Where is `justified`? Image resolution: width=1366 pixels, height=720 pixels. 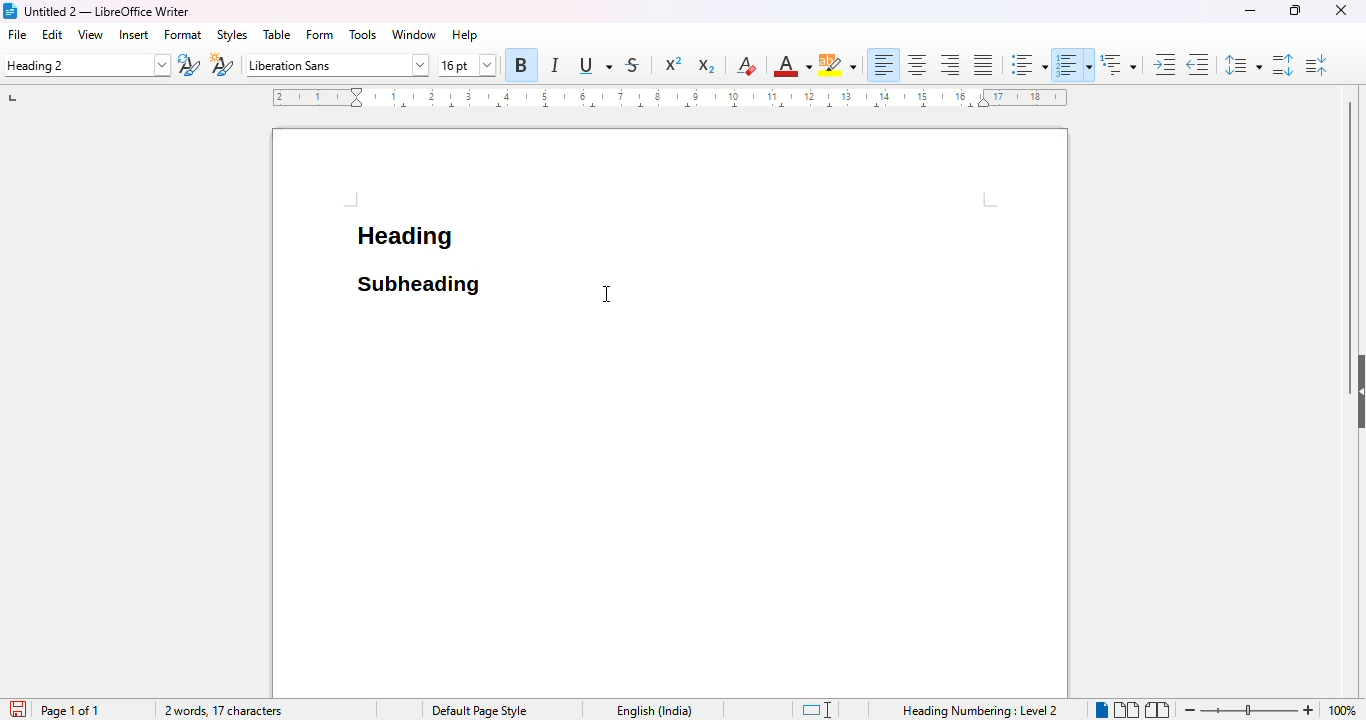 justified is located at coordinates (983, 64).